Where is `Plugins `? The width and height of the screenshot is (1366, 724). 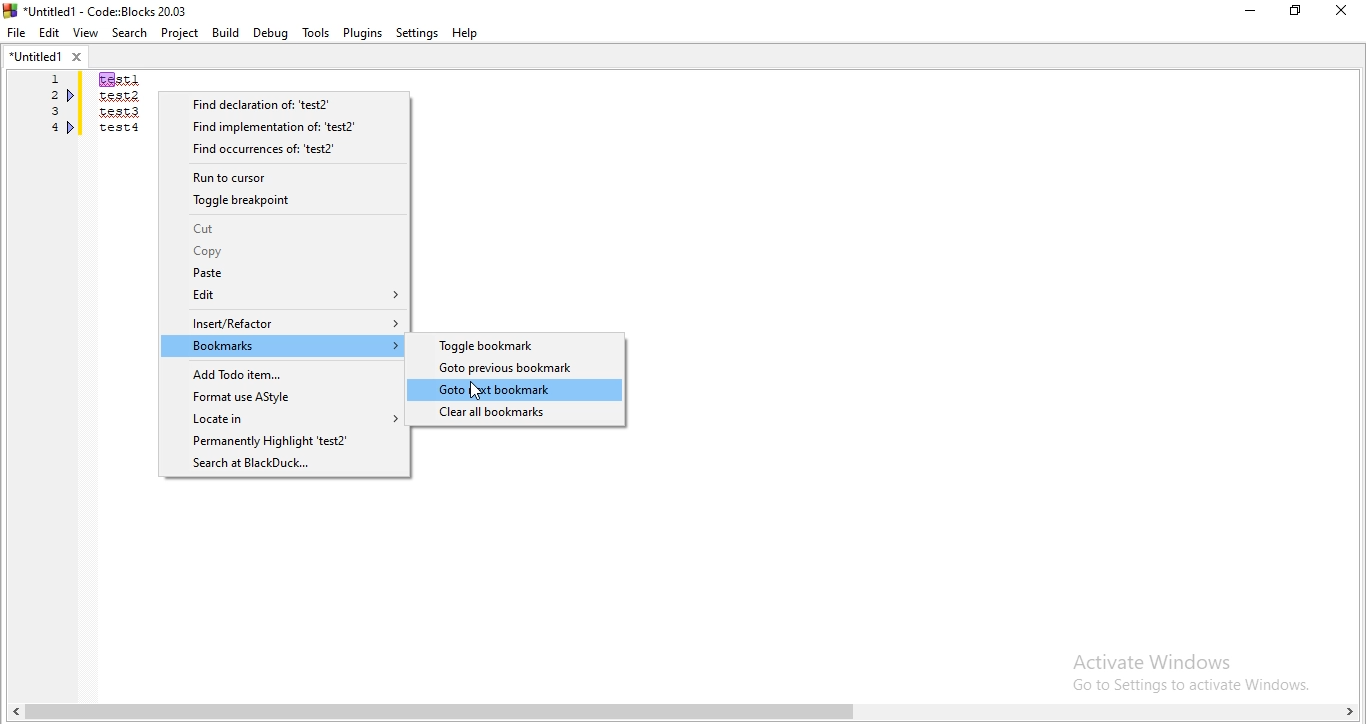 Plugins  is located at coordinates (362, 32).